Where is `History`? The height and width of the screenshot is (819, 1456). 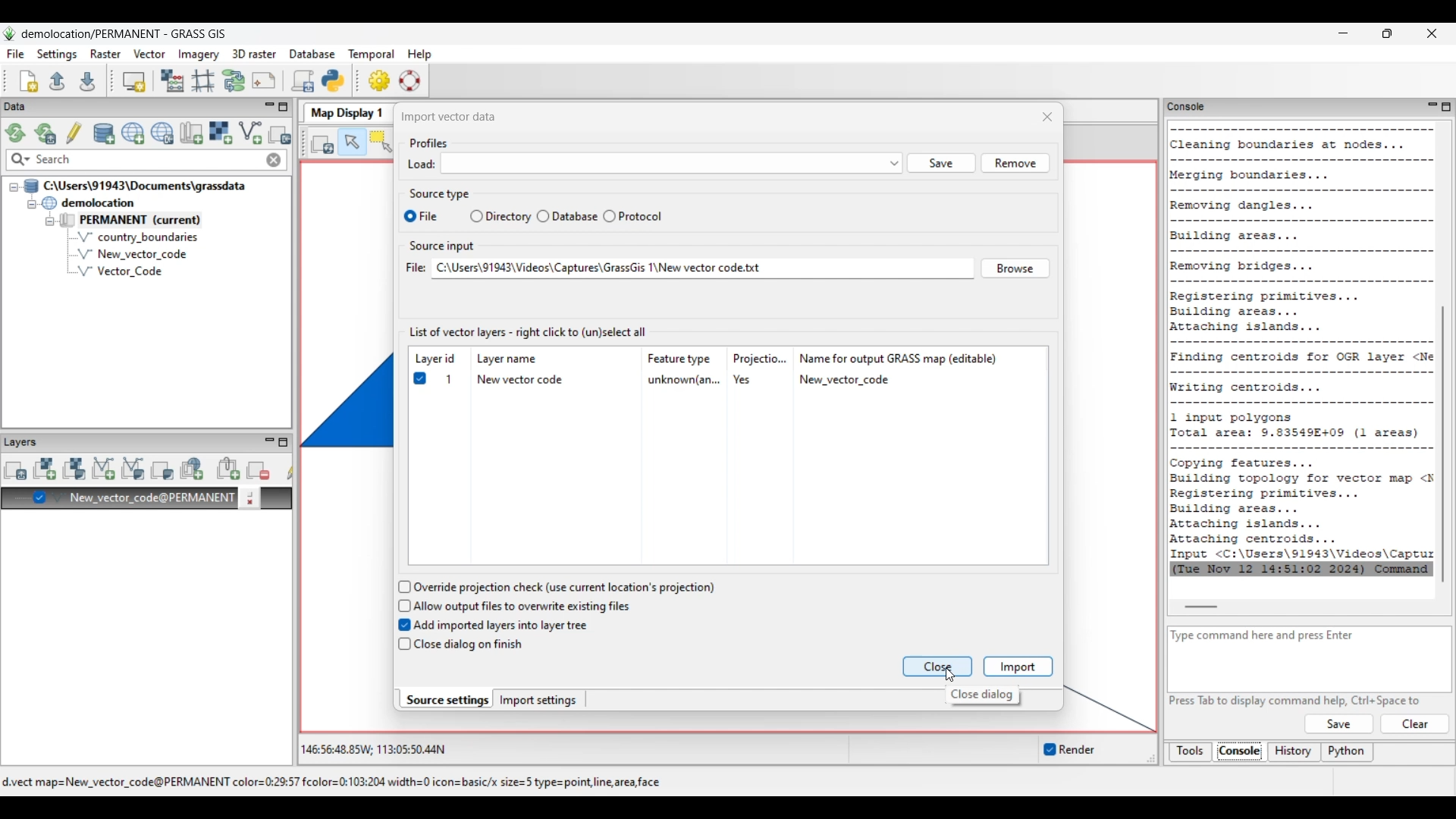
History is located at coordinates (1294, 752).